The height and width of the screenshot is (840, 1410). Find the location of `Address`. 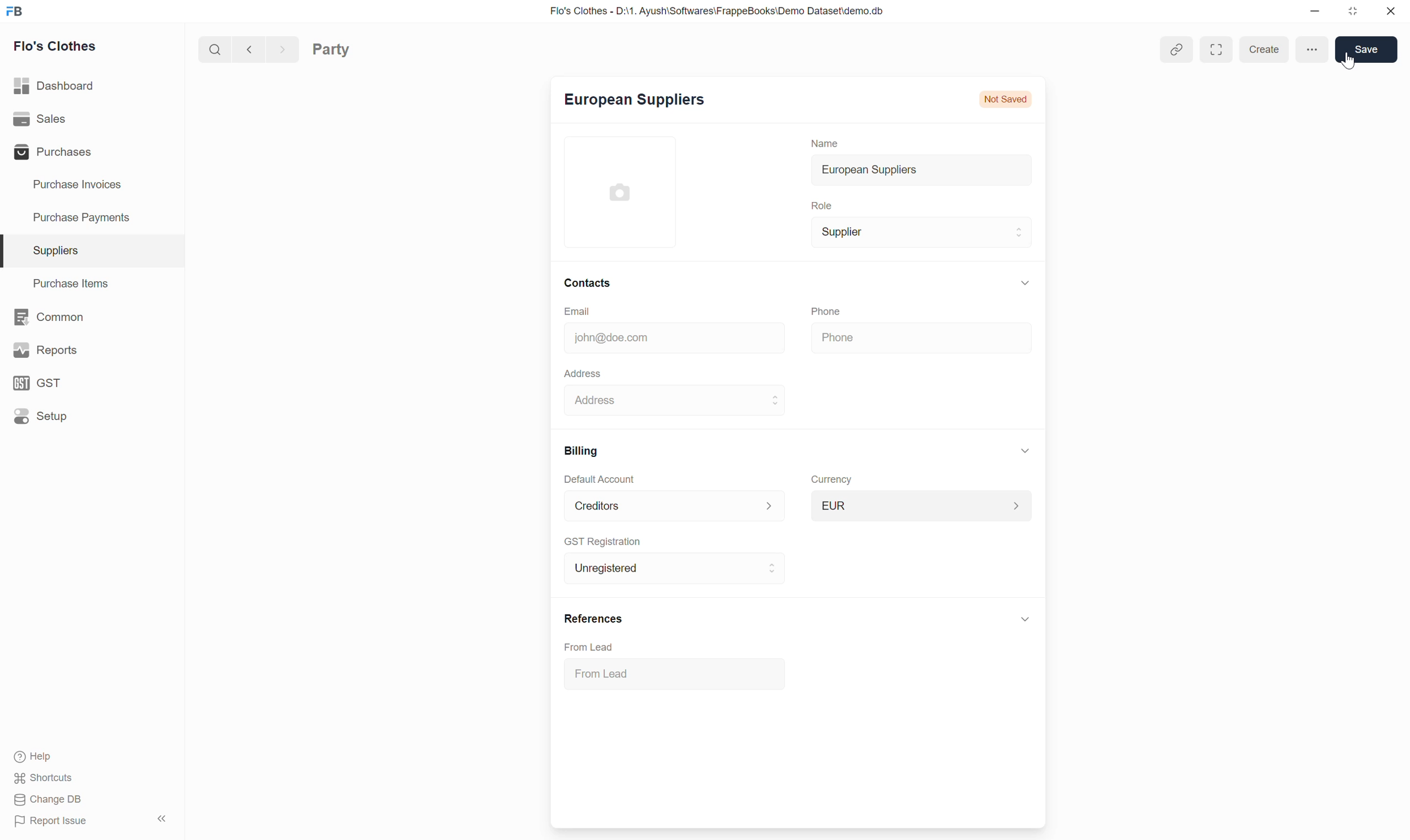

Address is located at coordinates (601, 401).